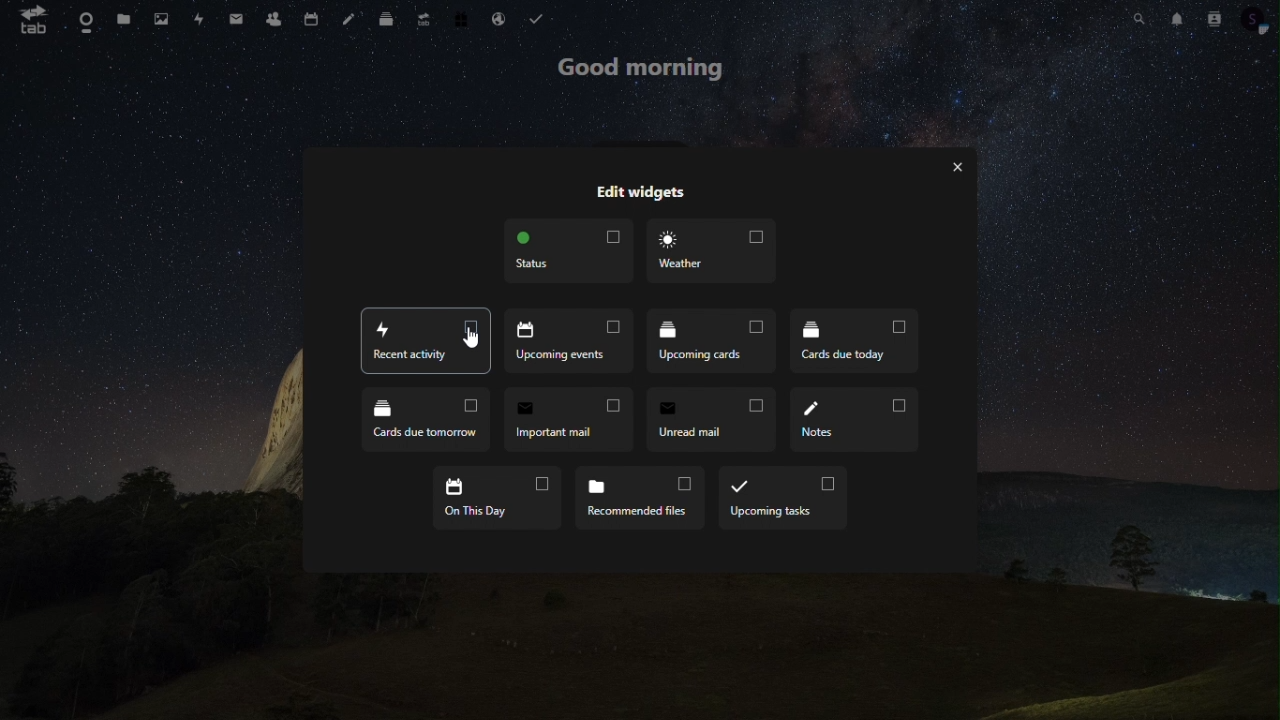  Describe the element at coordinates (128, 22) in the screenshot. I see `files` at that location.